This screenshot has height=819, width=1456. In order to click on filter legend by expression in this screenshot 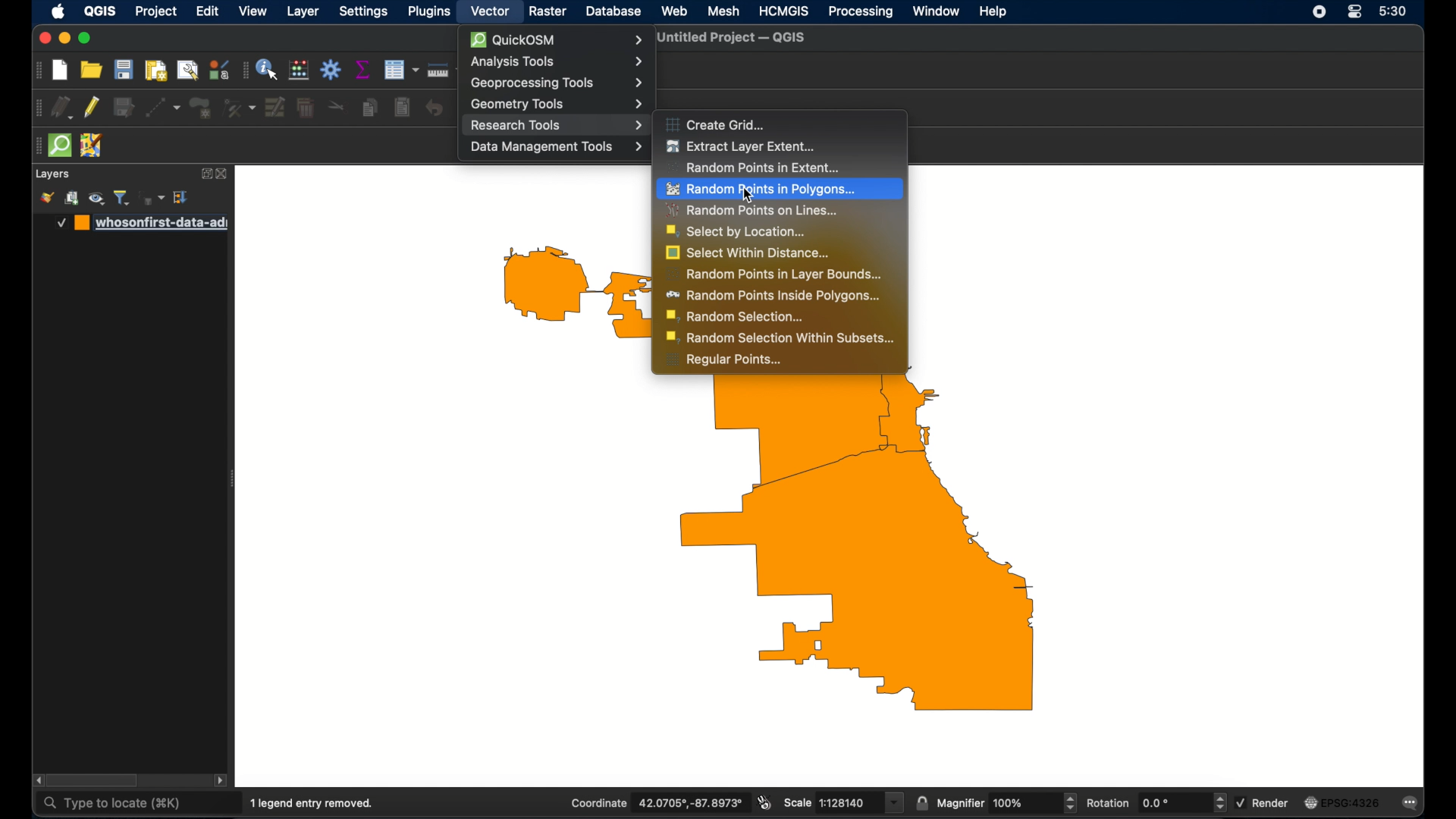, I will do `click(152, 198)`.